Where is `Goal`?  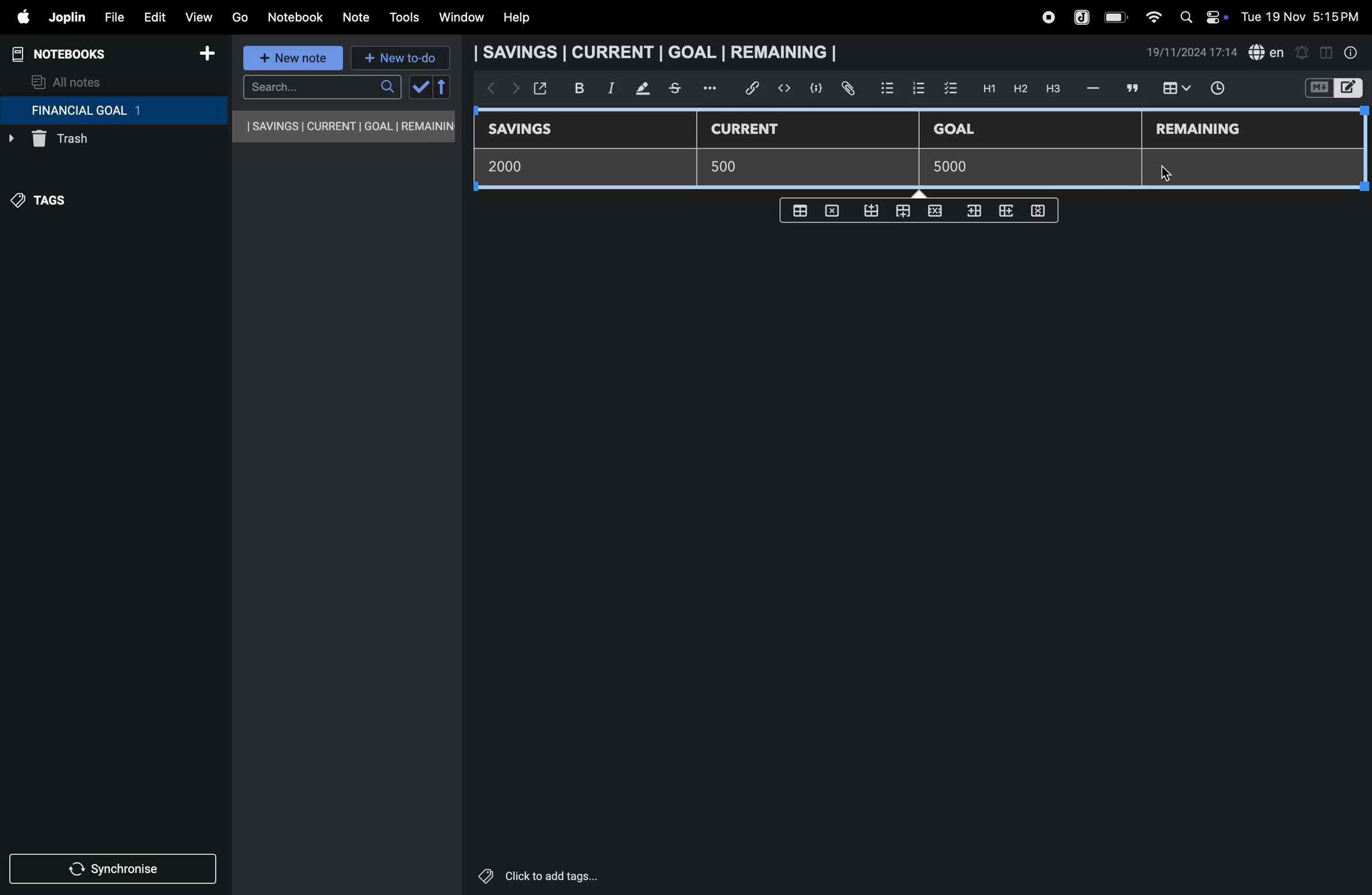 Goal is located at coordinates (962, 130).